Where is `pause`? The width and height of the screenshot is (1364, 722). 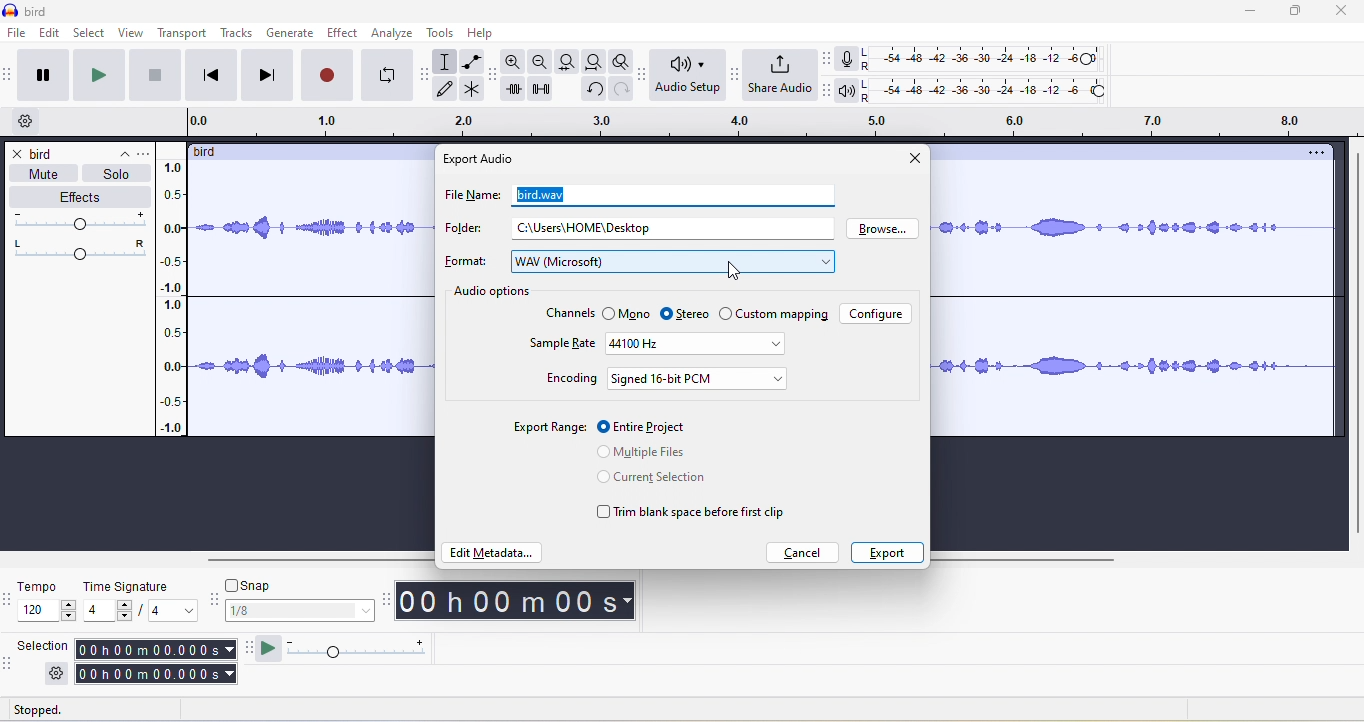 pause is located at coordinates (48, 76).